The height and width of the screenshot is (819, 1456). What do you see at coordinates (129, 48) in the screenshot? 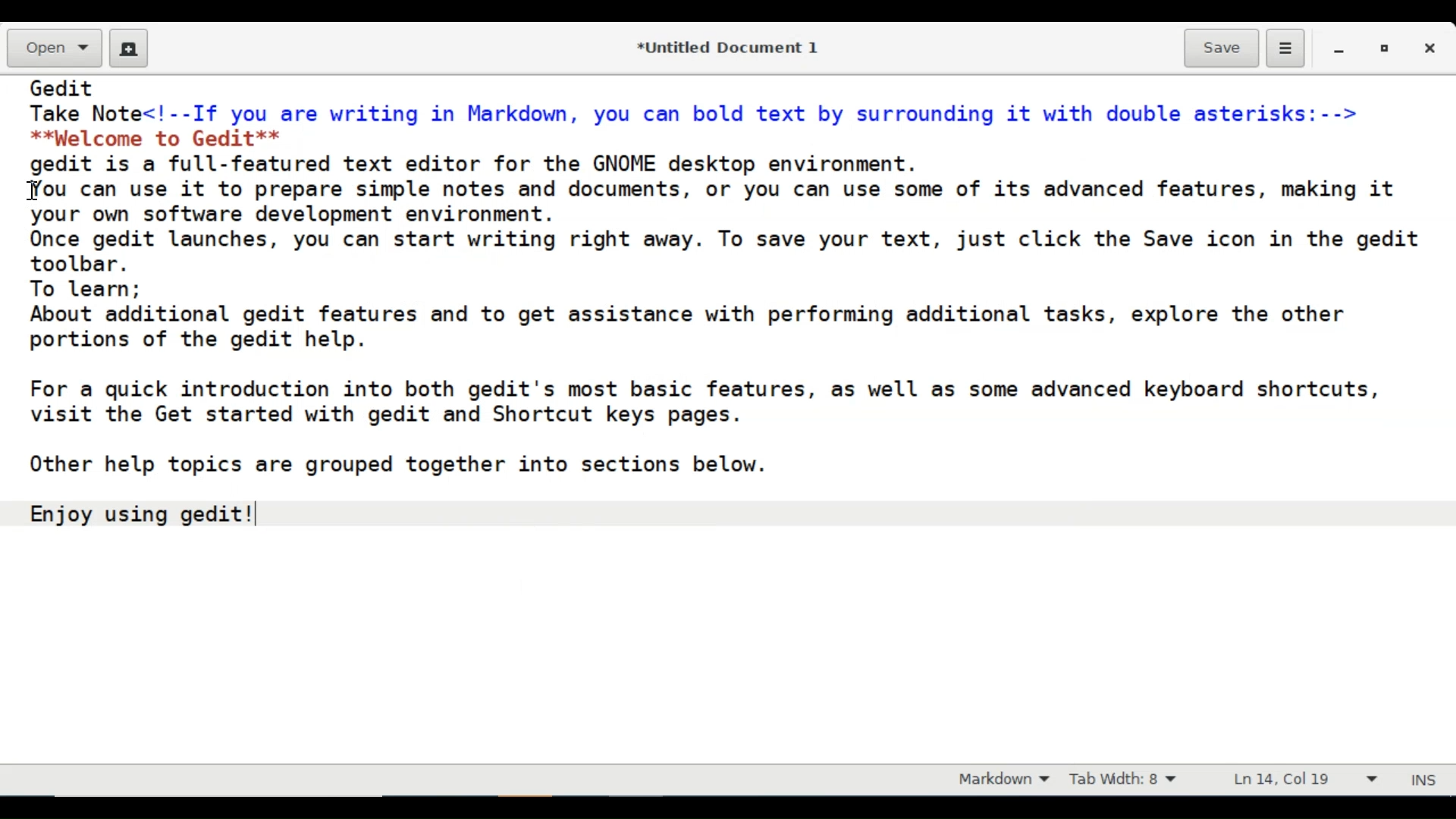
I see `New File` at bounding box center [129, 48].